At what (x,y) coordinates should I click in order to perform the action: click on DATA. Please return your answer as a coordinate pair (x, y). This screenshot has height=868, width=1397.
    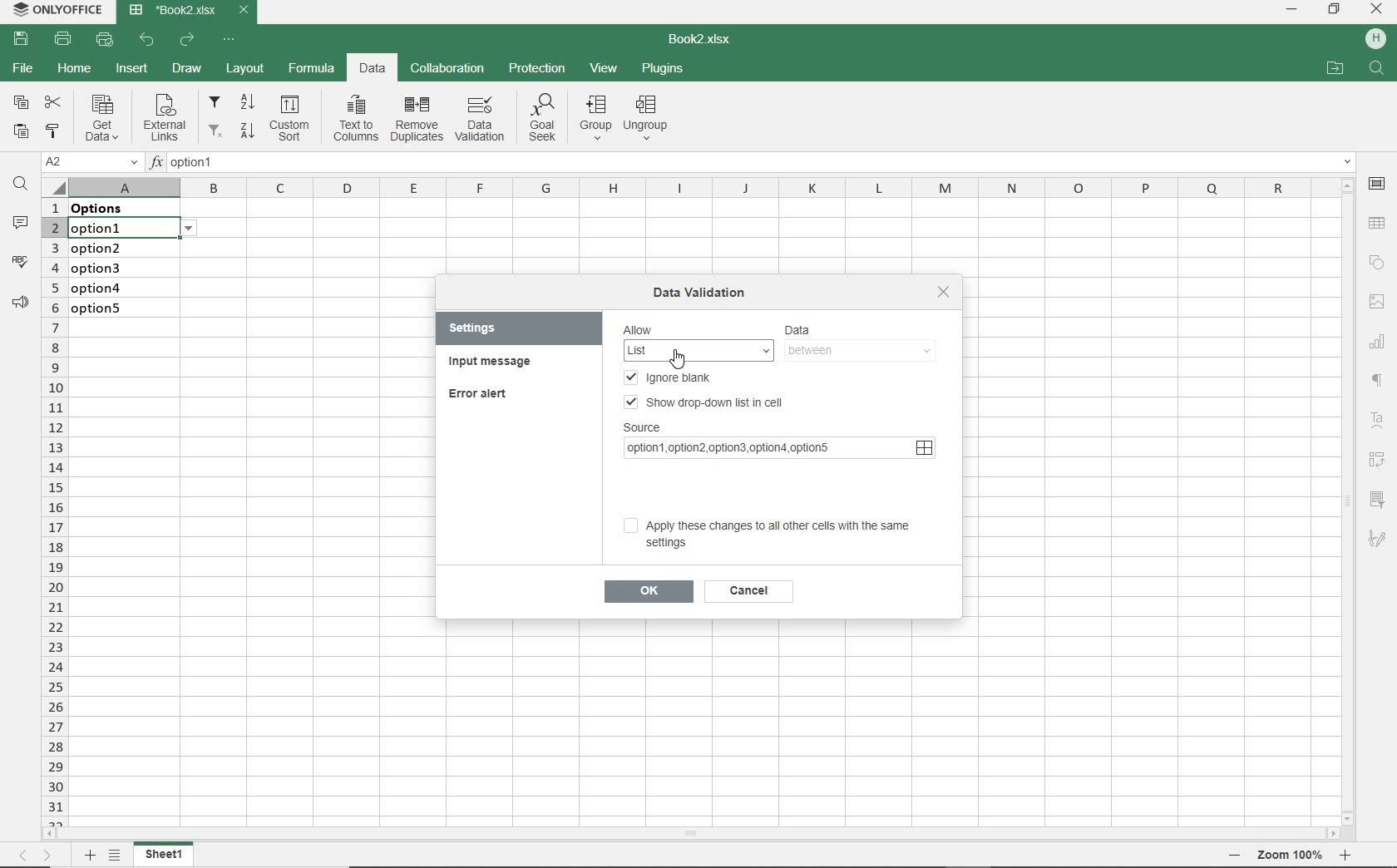
    Looking at the image, I should click on (863, 328).